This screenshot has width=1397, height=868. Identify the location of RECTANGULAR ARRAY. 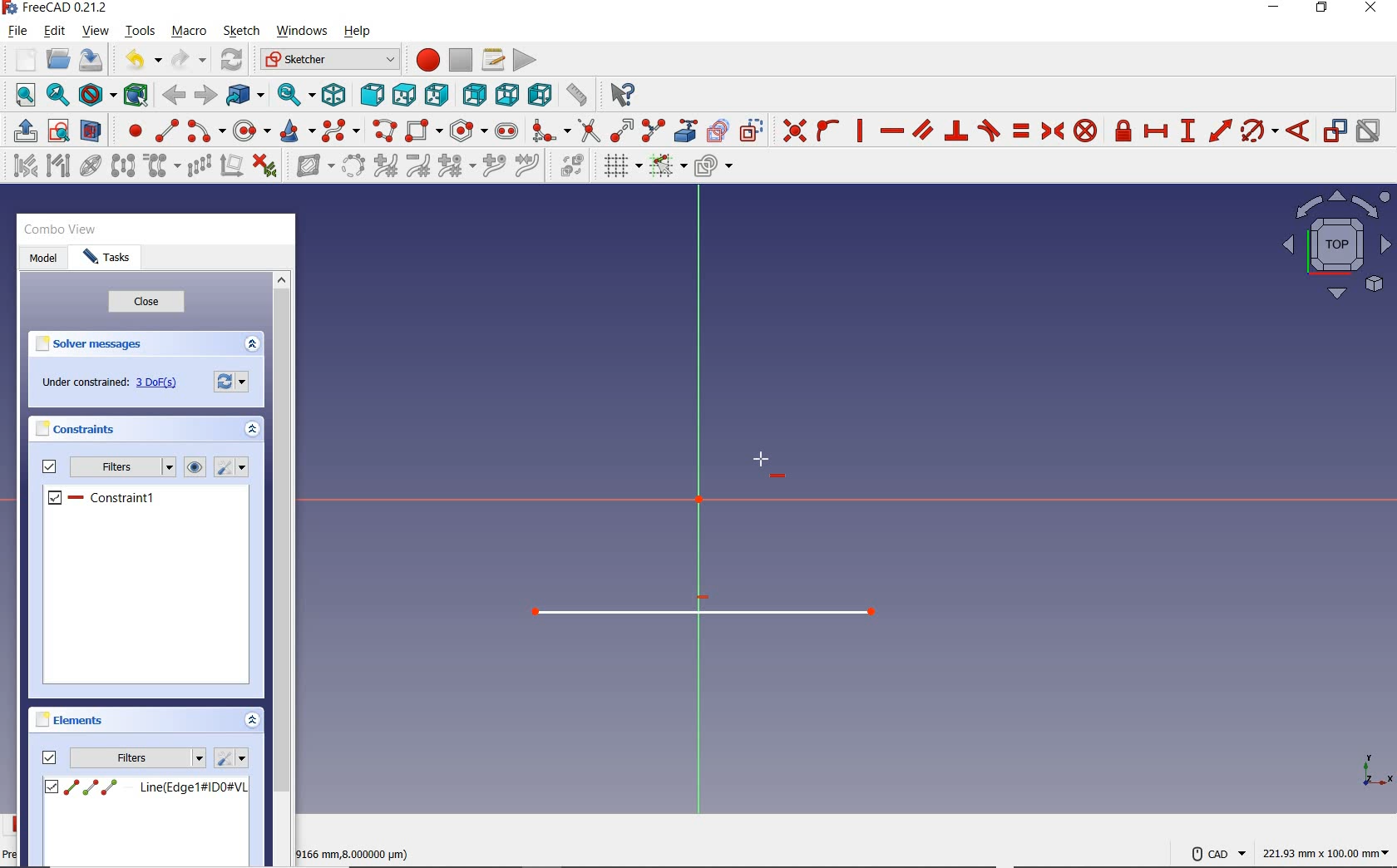
(199, 165).